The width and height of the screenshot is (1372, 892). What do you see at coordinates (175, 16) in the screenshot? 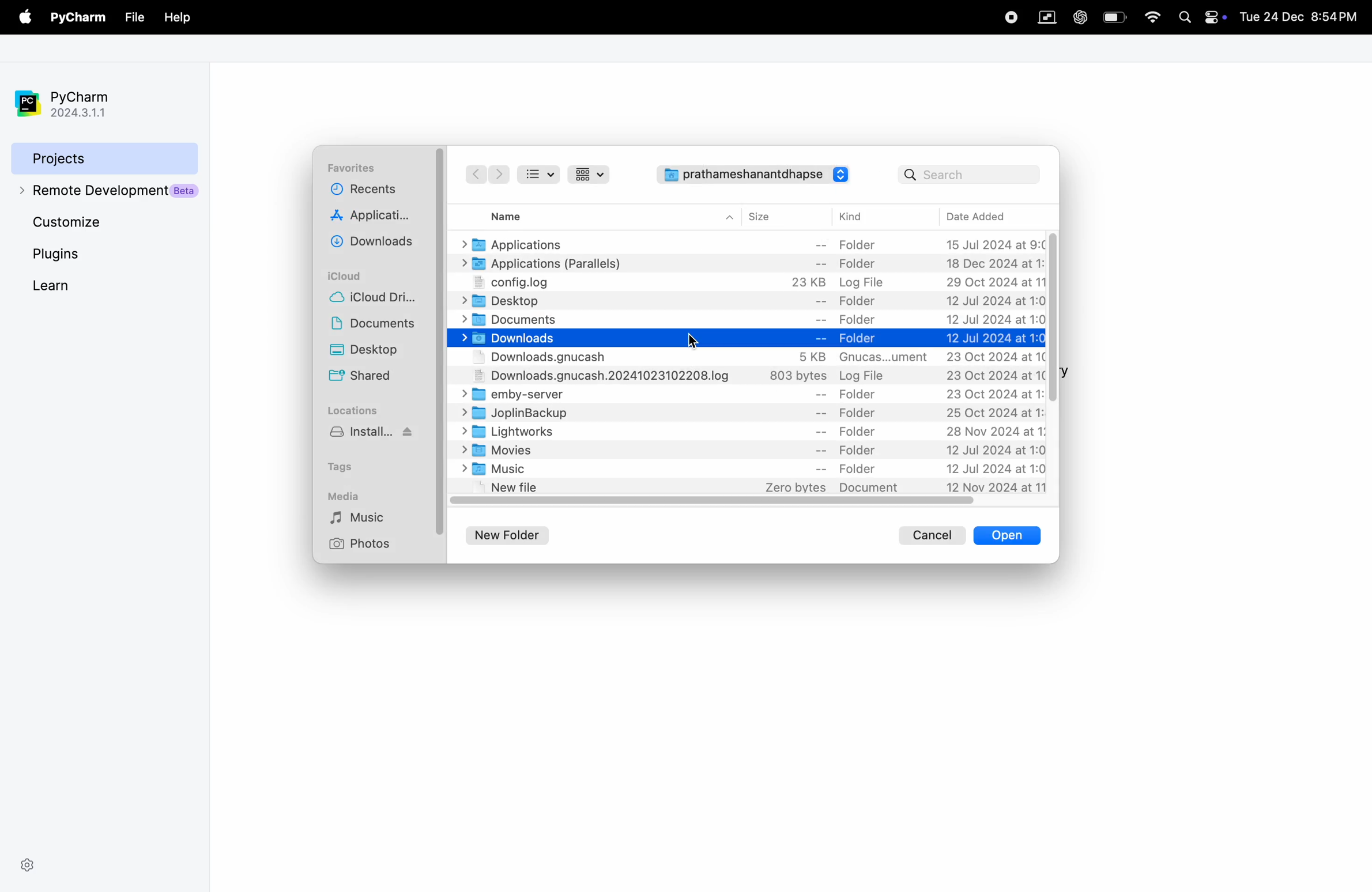
I see `help` at bounding box center [175, 16].